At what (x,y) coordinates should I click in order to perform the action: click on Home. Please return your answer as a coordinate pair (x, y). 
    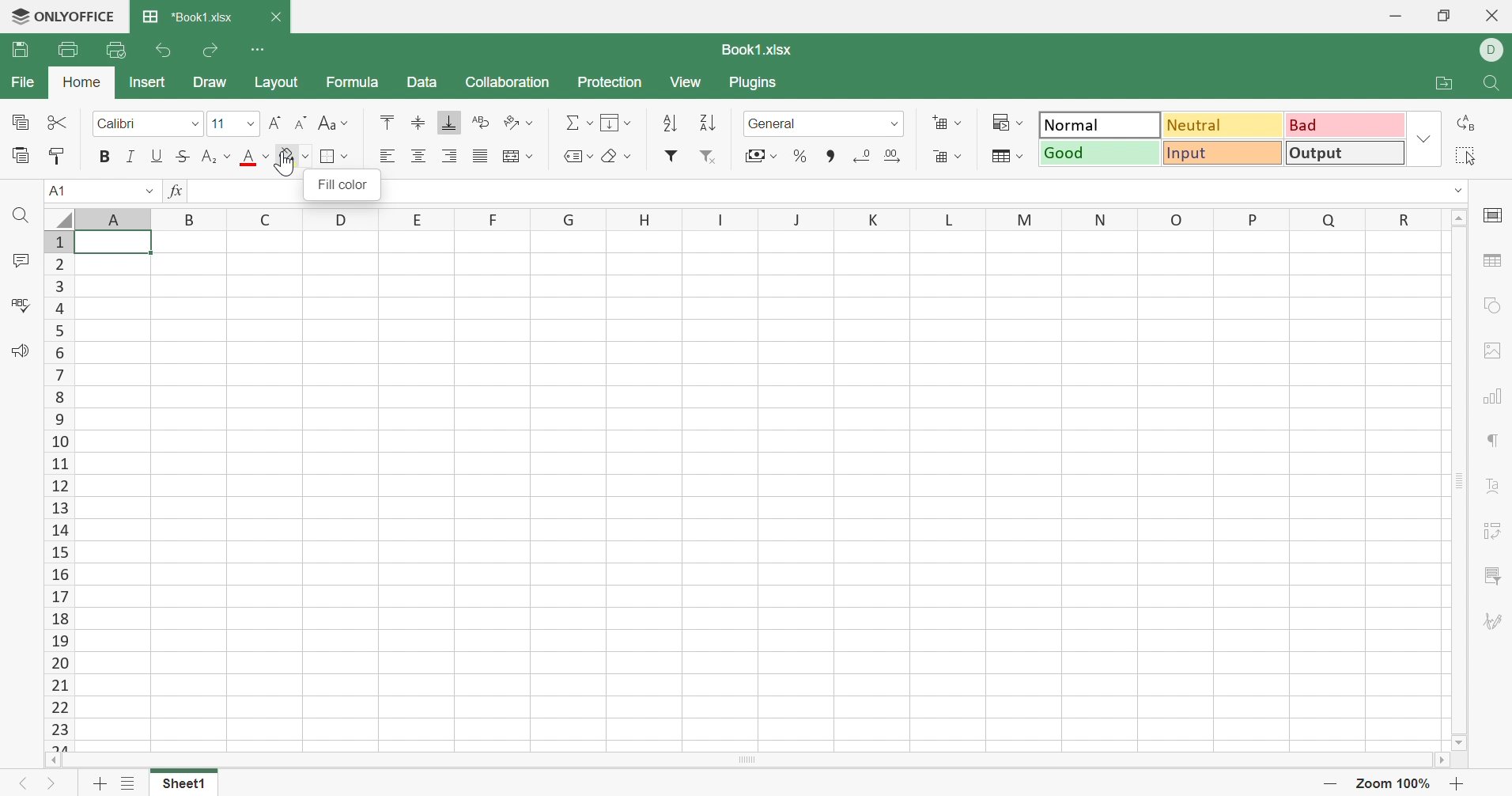
    Looking at the image, I should click on (82, 80).